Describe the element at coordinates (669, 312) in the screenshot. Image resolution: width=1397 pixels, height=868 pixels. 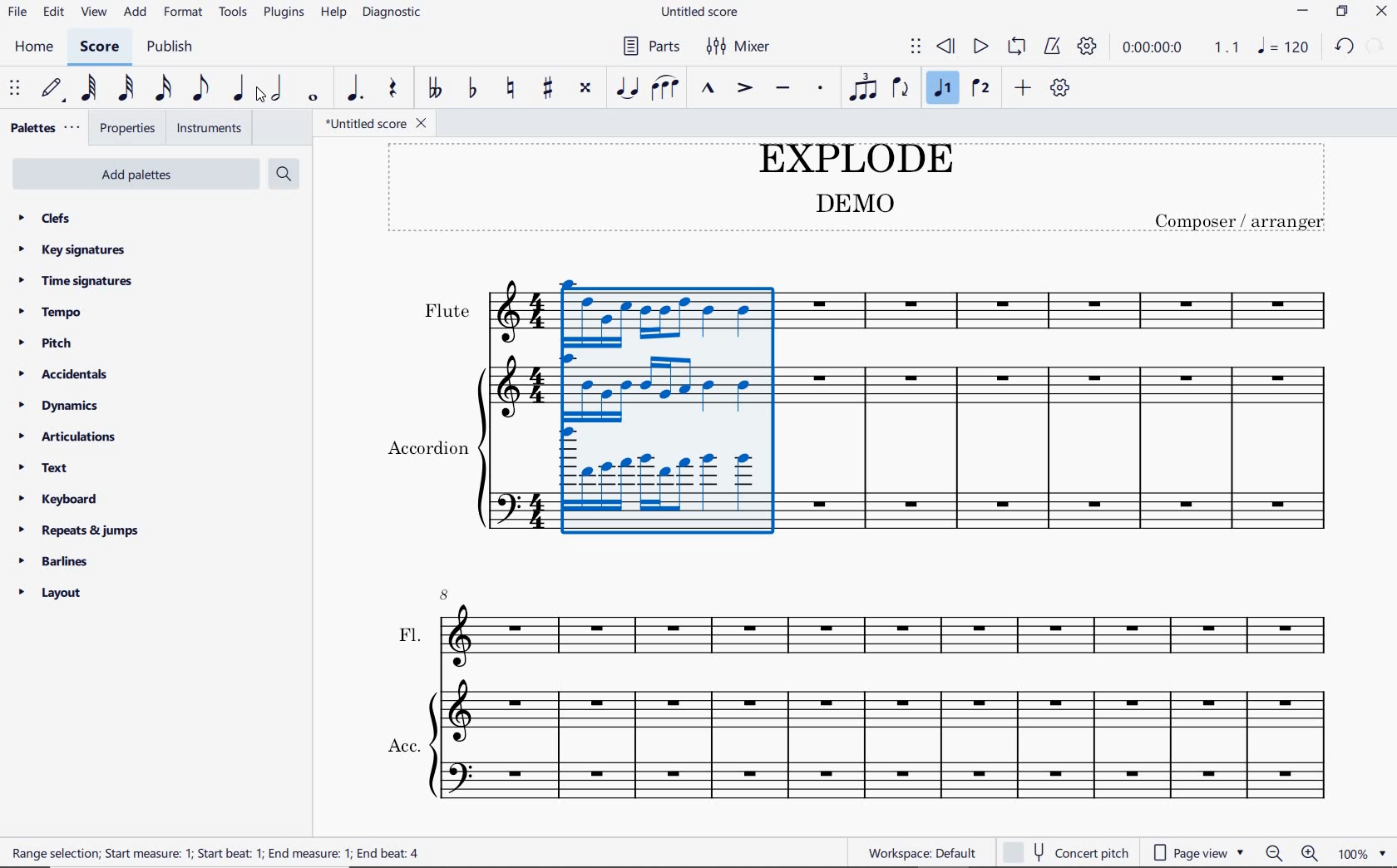
I see `highlighted measure` at that location.